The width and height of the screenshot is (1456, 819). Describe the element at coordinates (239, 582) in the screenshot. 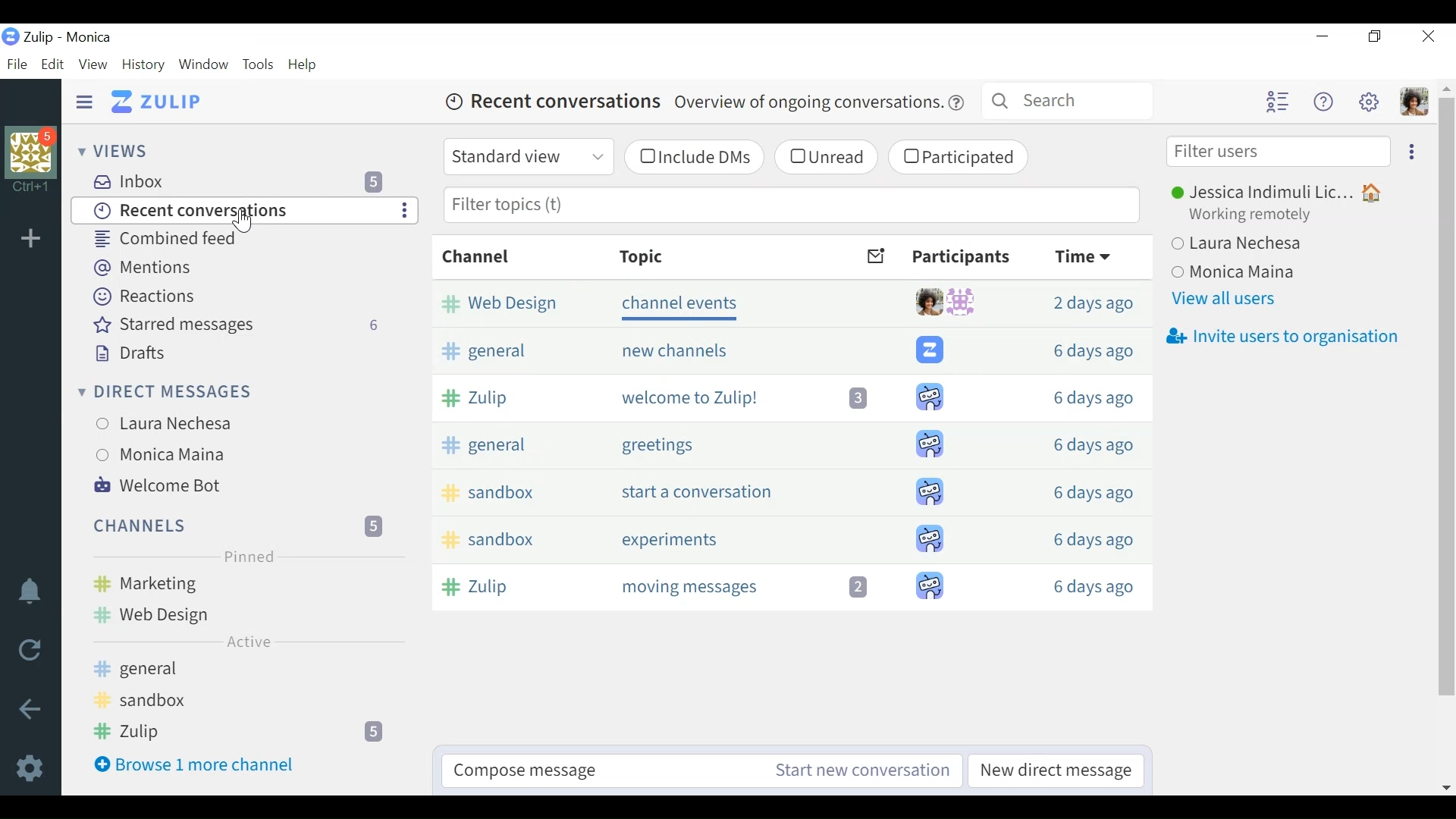

I see `Marketing` at that location.